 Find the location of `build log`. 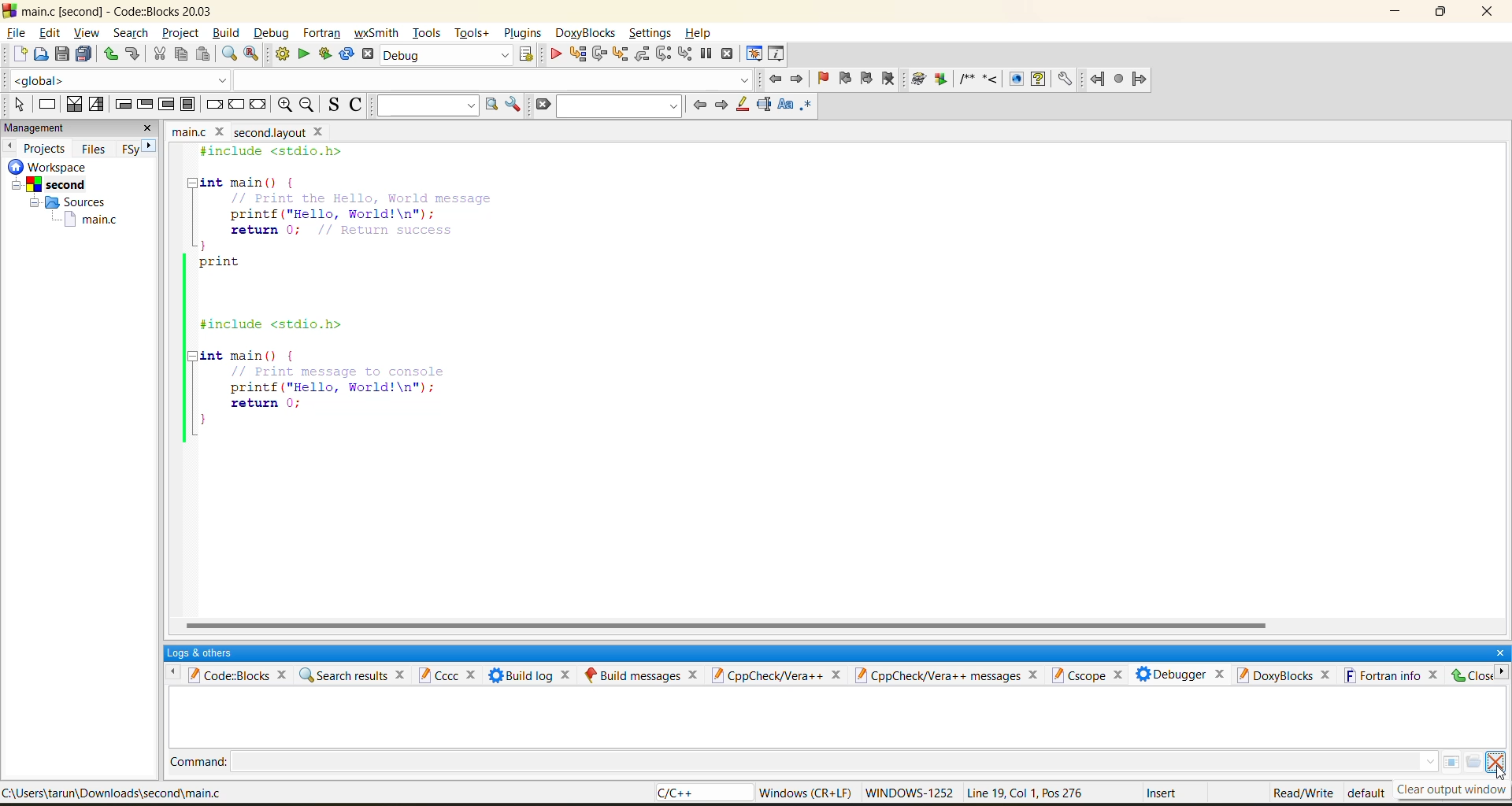

build log is located at coordinates (528, 674).